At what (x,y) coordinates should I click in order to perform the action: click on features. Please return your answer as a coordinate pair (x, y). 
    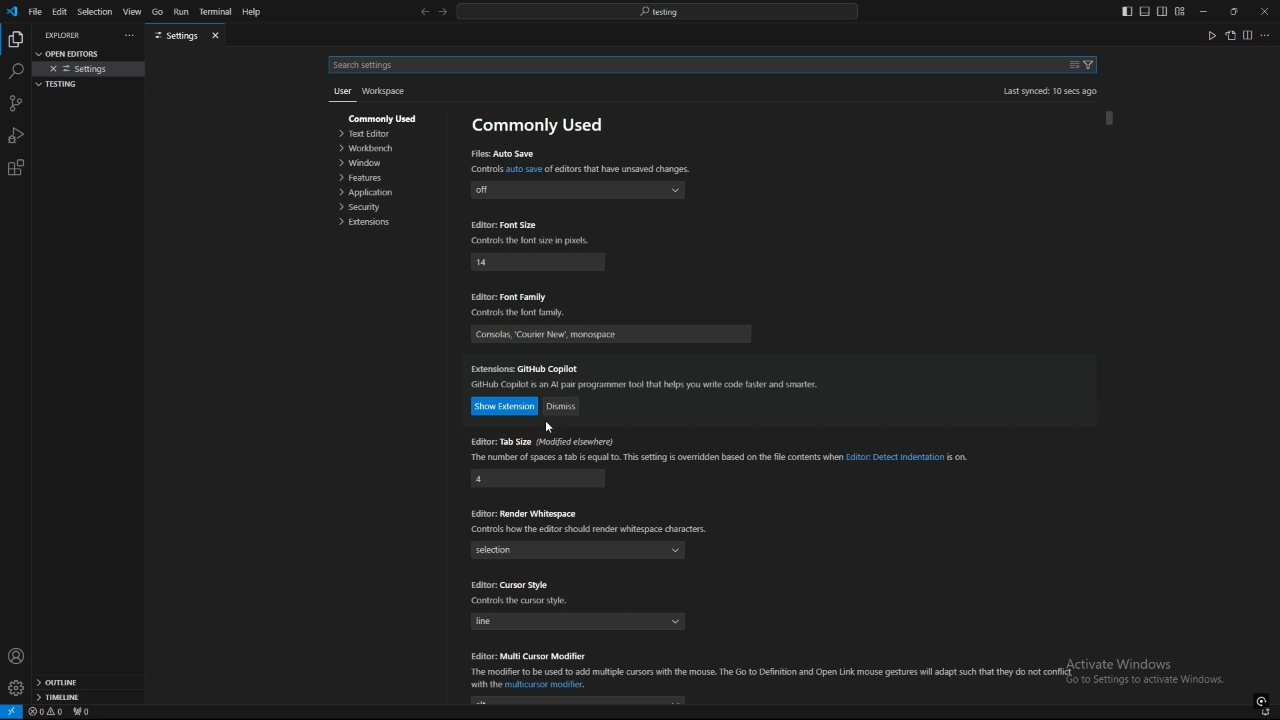
    Looking at the image, I should click on (382, 179).